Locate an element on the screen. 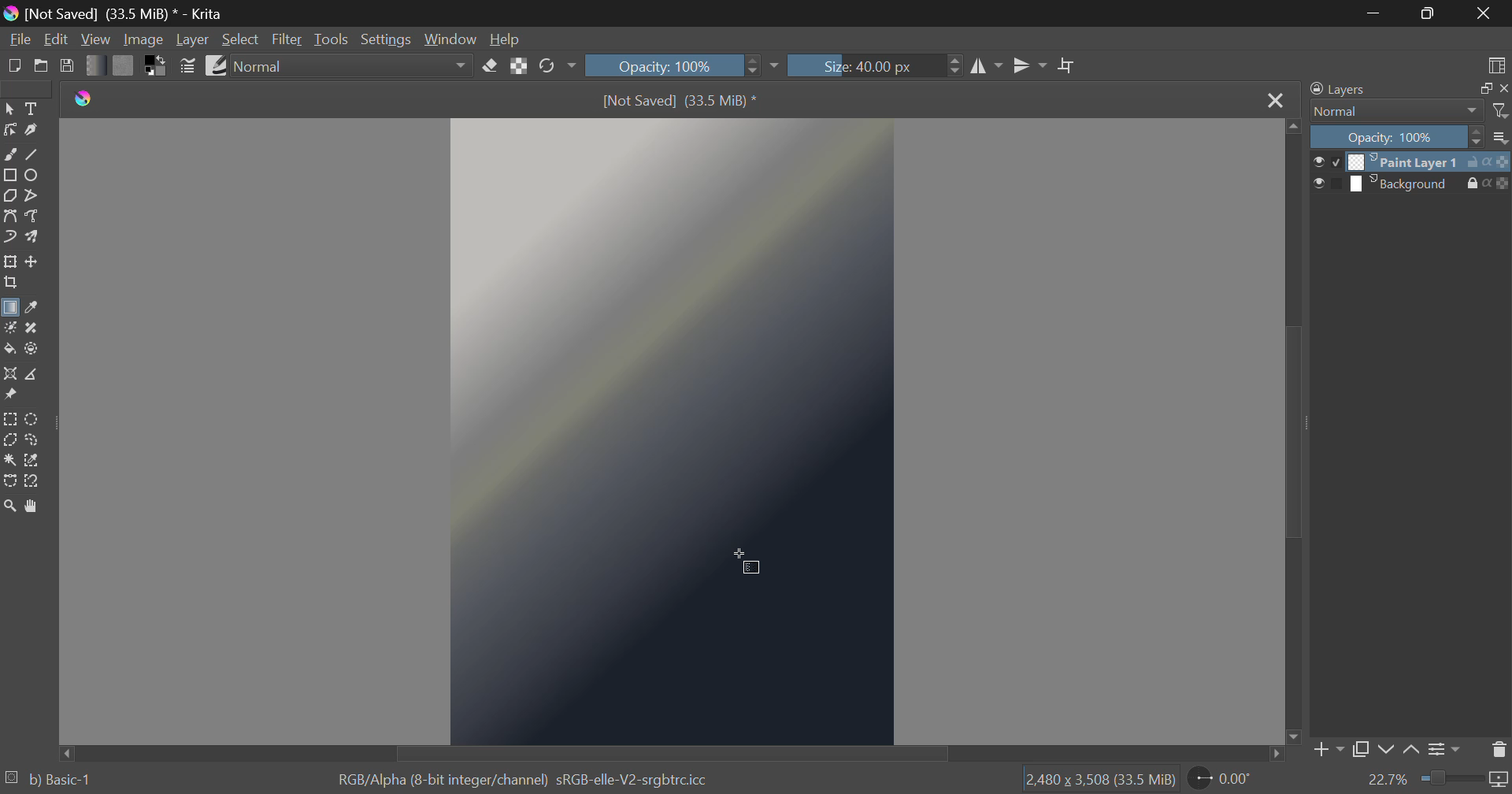 The image size is (1512, 794). Background is located at coordinates (1404, 184).